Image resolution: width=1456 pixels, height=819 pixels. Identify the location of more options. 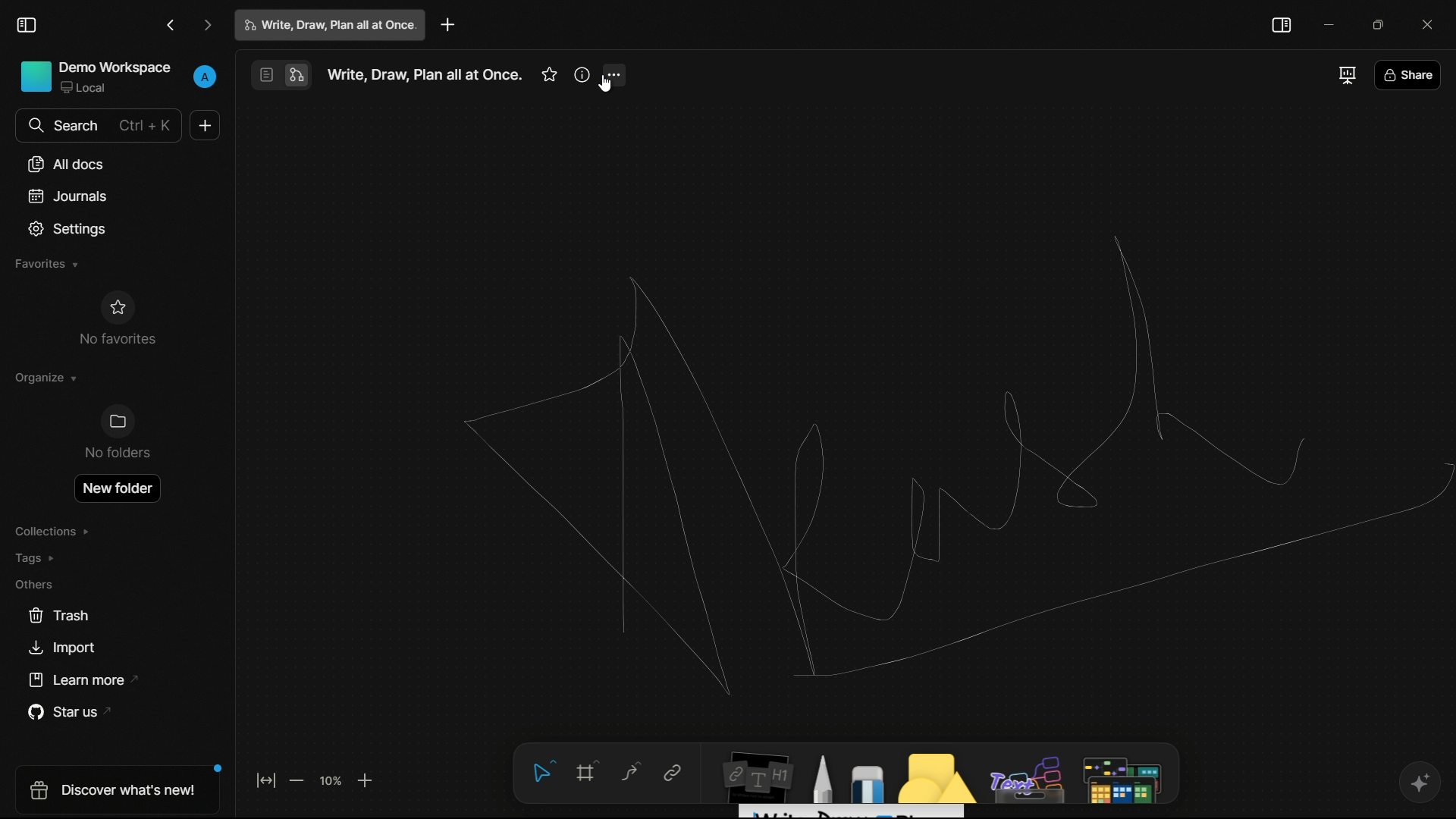
(617, 76).